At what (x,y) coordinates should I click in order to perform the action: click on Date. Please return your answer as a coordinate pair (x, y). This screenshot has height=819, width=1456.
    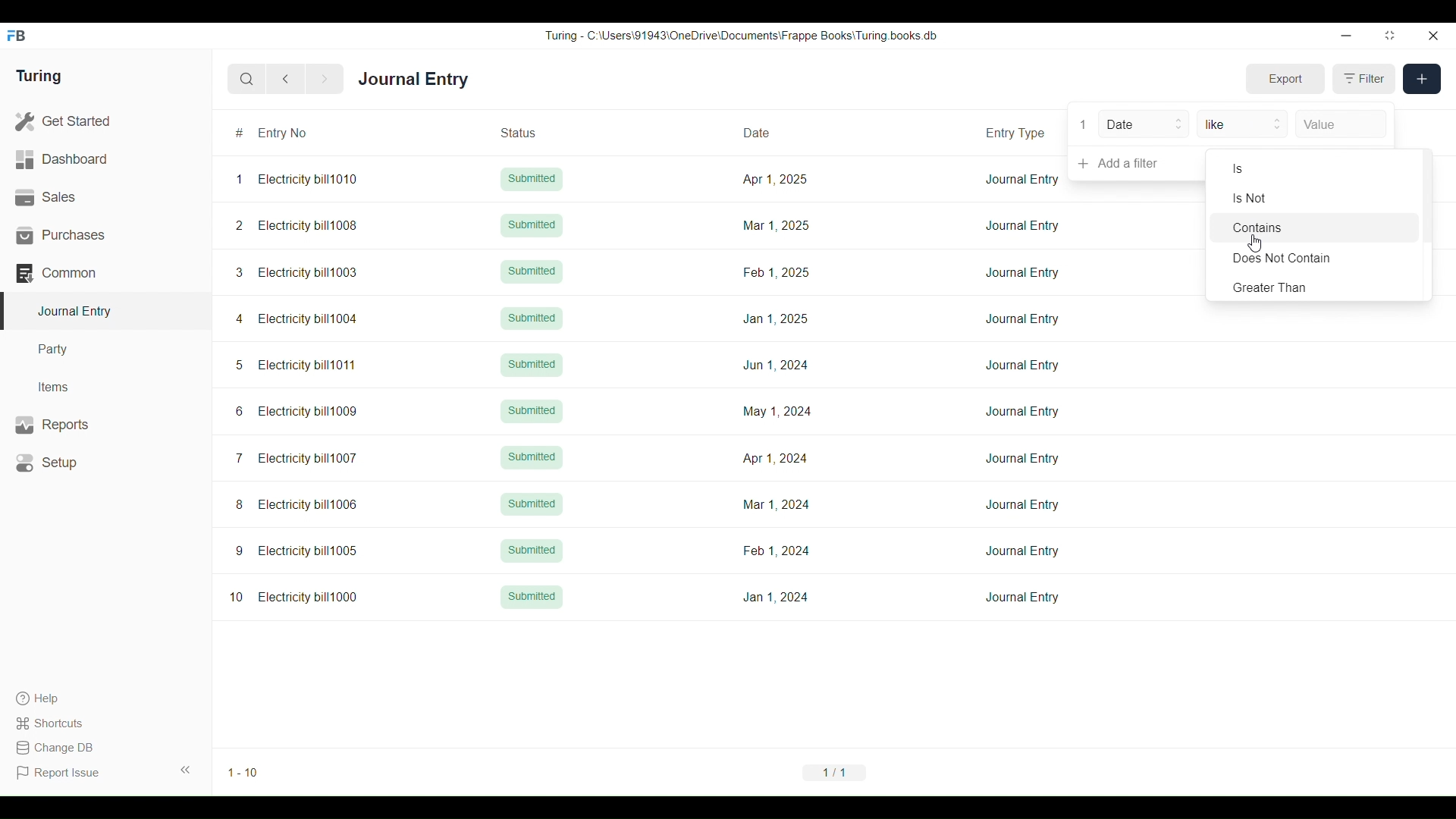
    Looking at the image, I should click on (775, 131).